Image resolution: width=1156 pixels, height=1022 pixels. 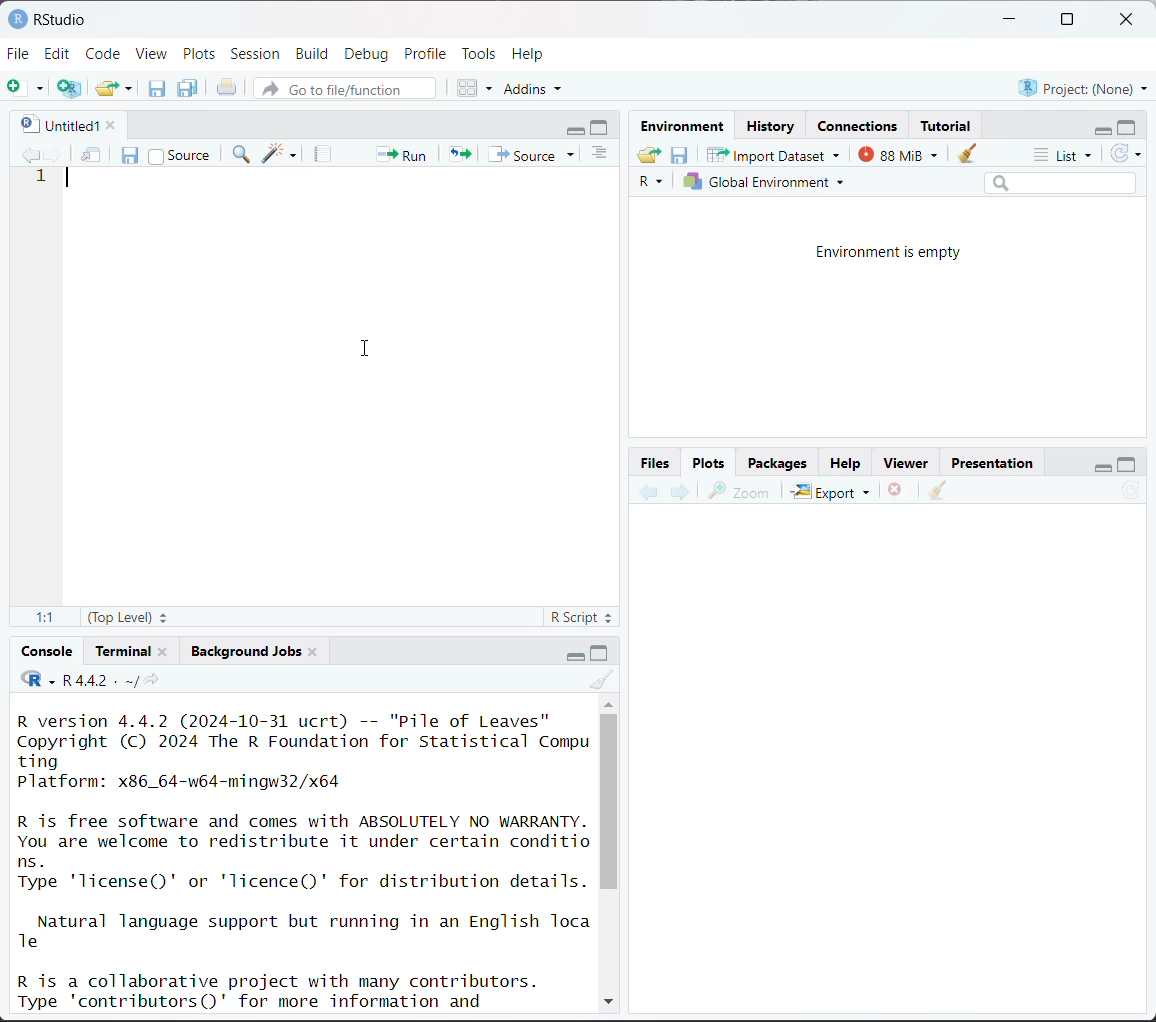 What do you see at coordinates (969, 150) in the screenshot?
I see `clear objects from workspace` at bounding box center [969, 150].